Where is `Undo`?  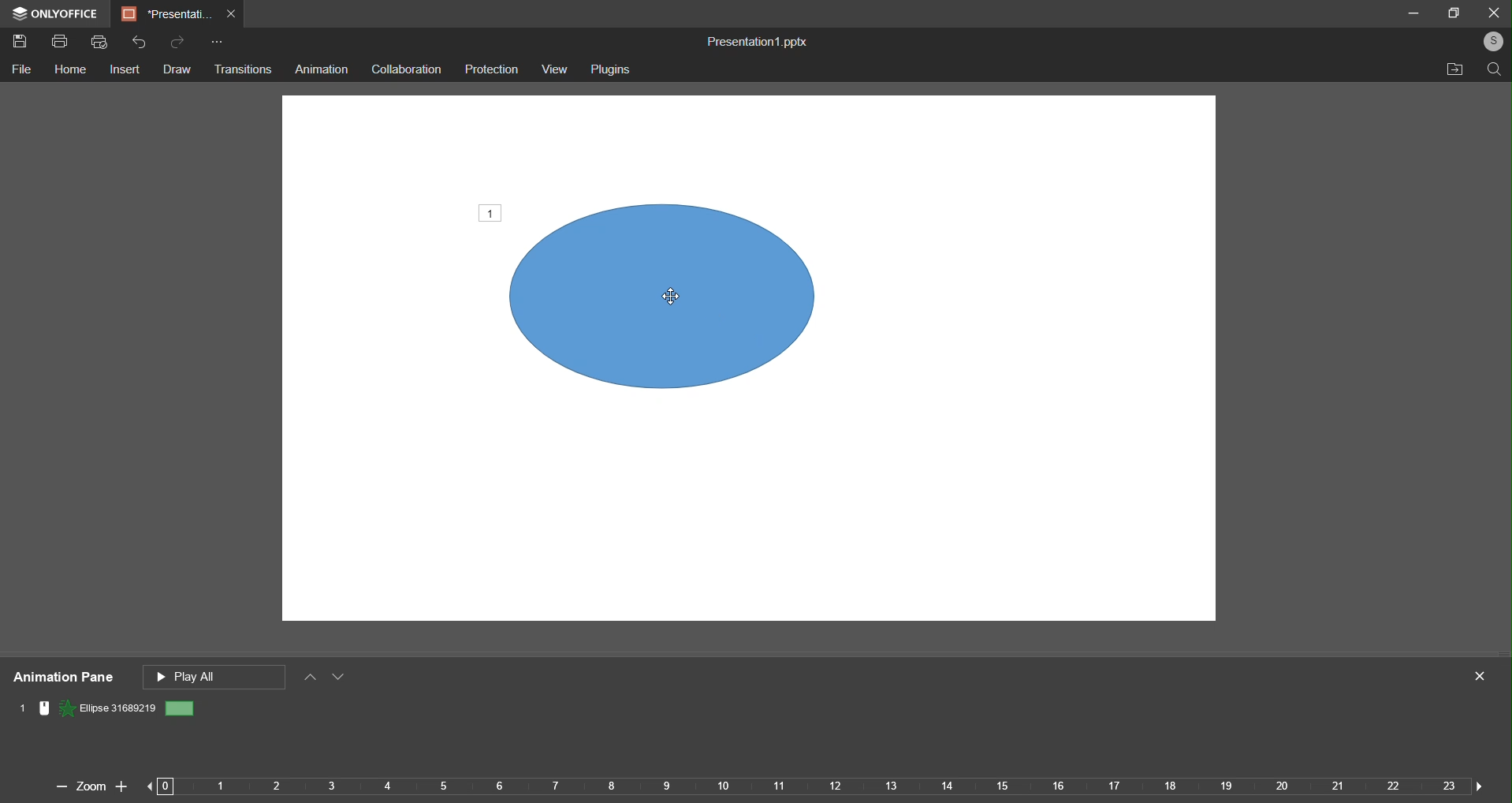
Undo is located at coordinates (141, 43).